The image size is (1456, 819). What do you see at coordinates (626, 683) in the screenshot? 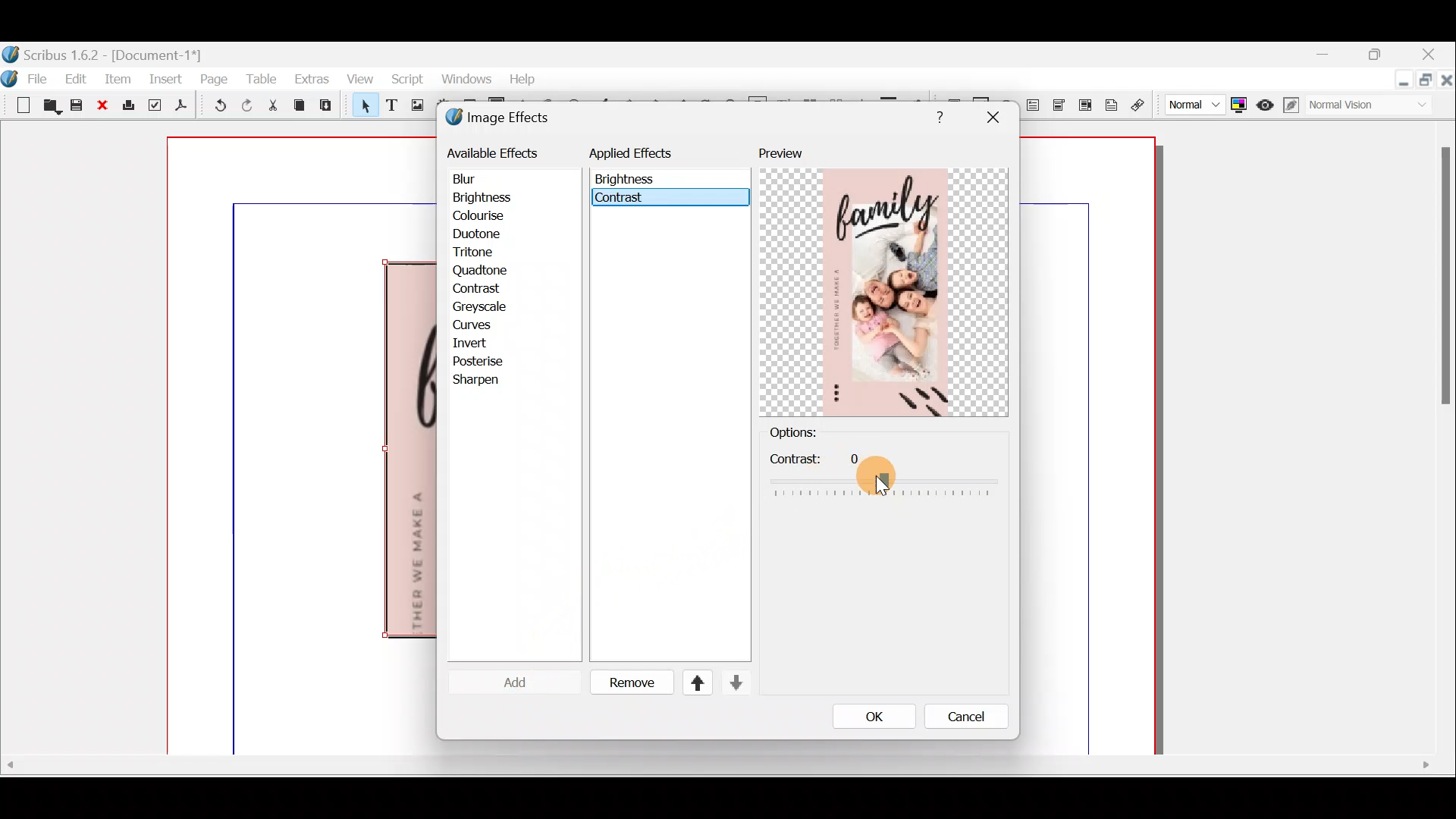
I see `Remove` at bounding box center [626, 683].